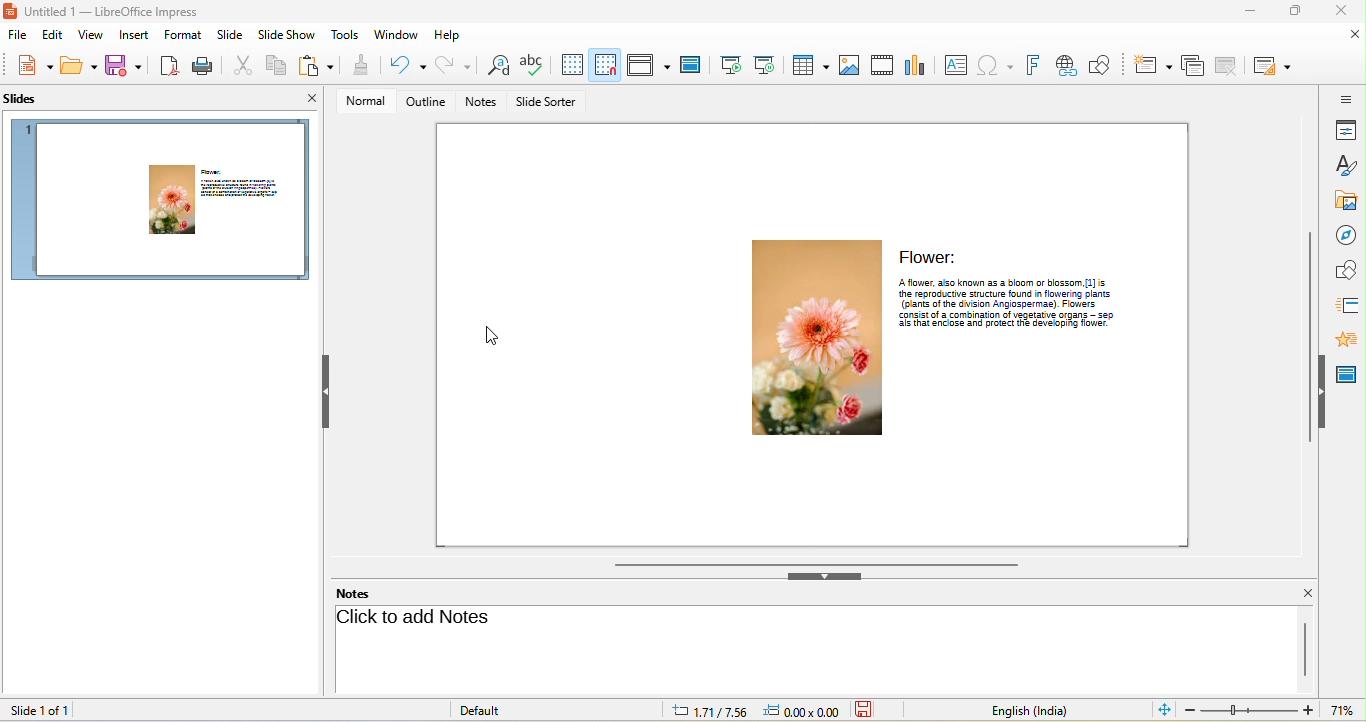 Image resolution: width=1366 pixels, height=722 pixels. Describe the element at coordinates (482, 101) in the screenshot. I see `notes` at that location.